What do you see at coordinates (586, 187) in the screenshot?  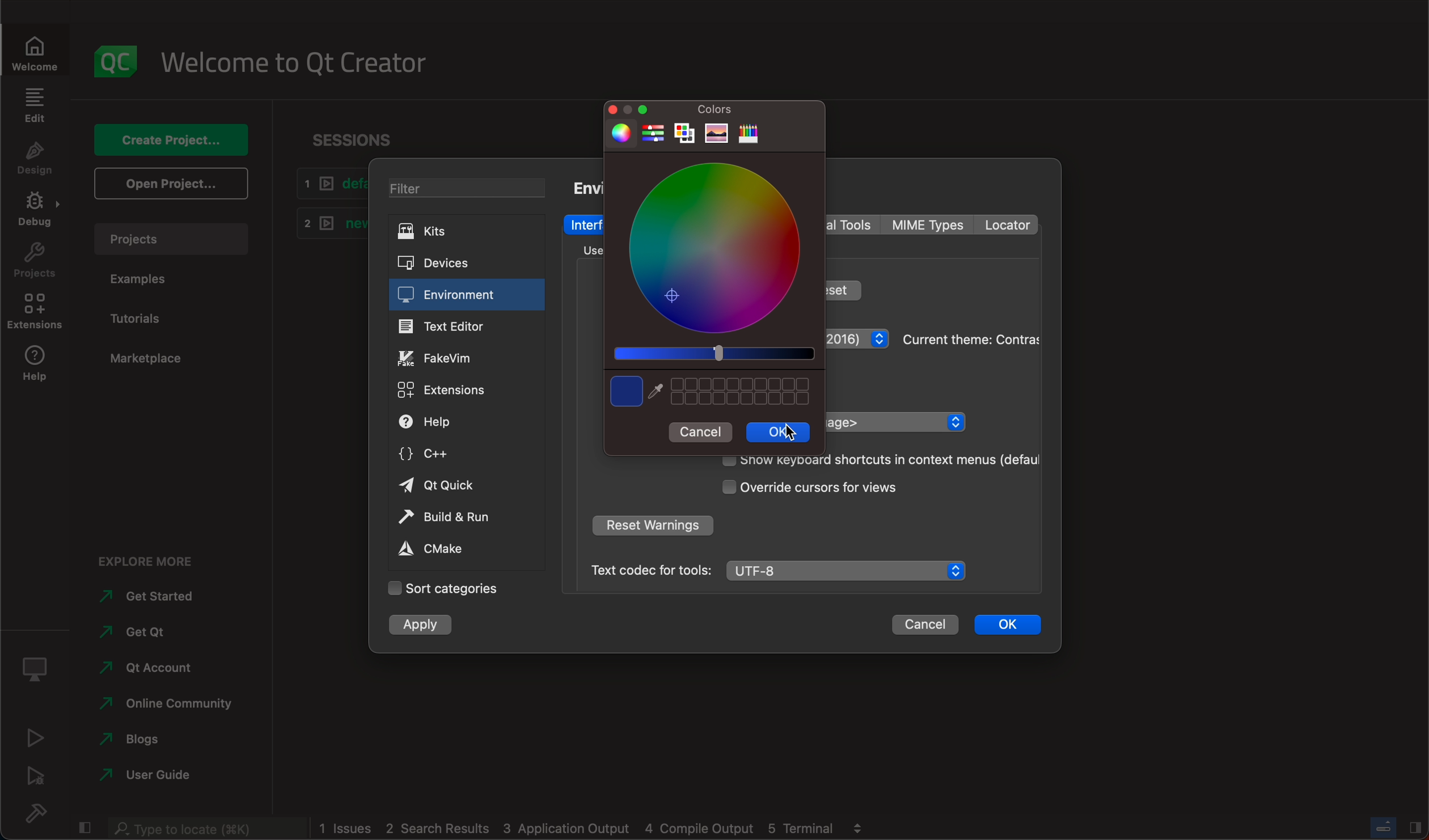 I see `environment` at bounding box center [586, 187].